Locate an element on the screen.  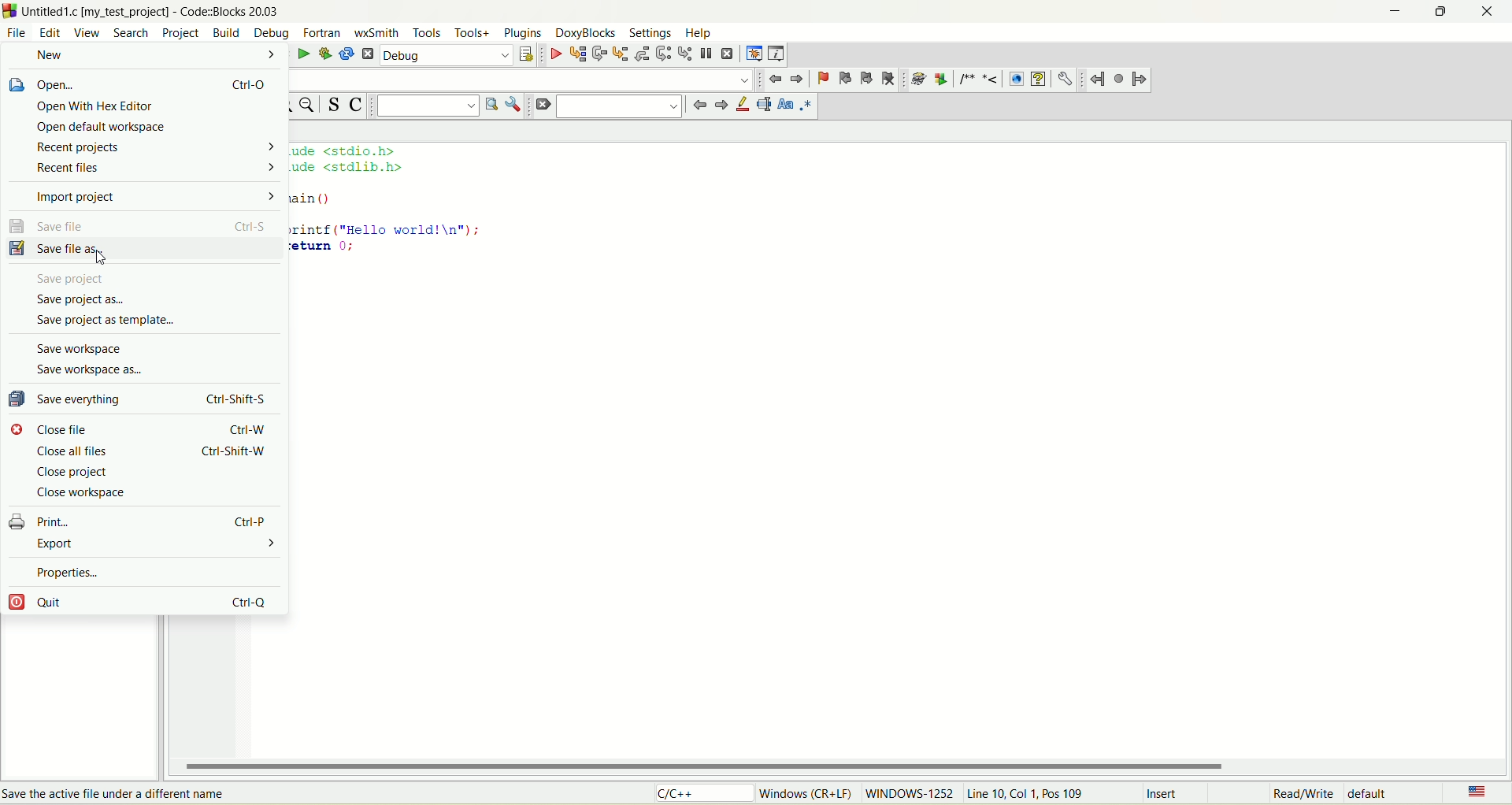
match case is located at coordinates (787, 104).